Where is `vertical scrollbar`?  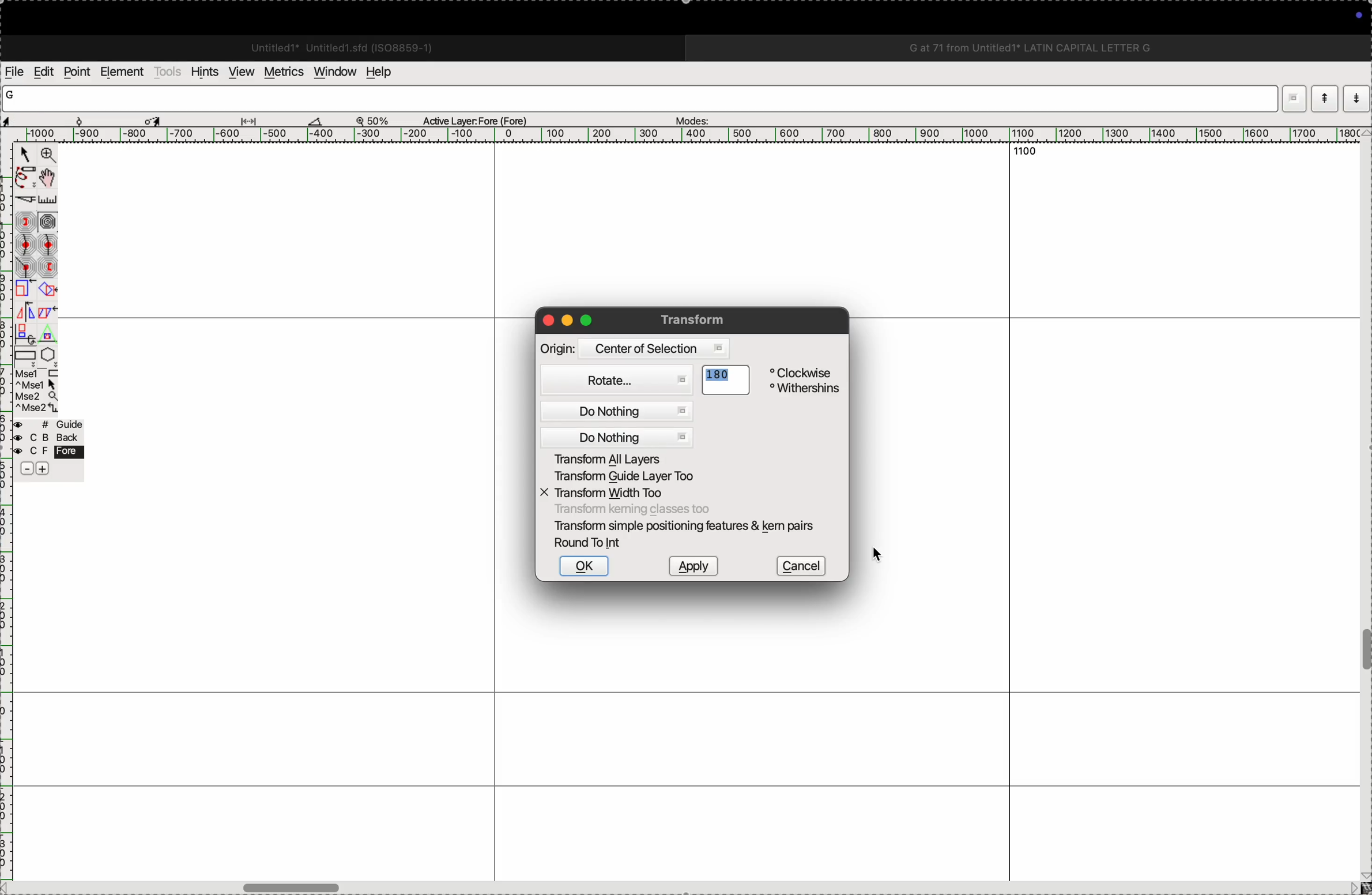 vertical scrollbar is located at coordinates (1363, 516).